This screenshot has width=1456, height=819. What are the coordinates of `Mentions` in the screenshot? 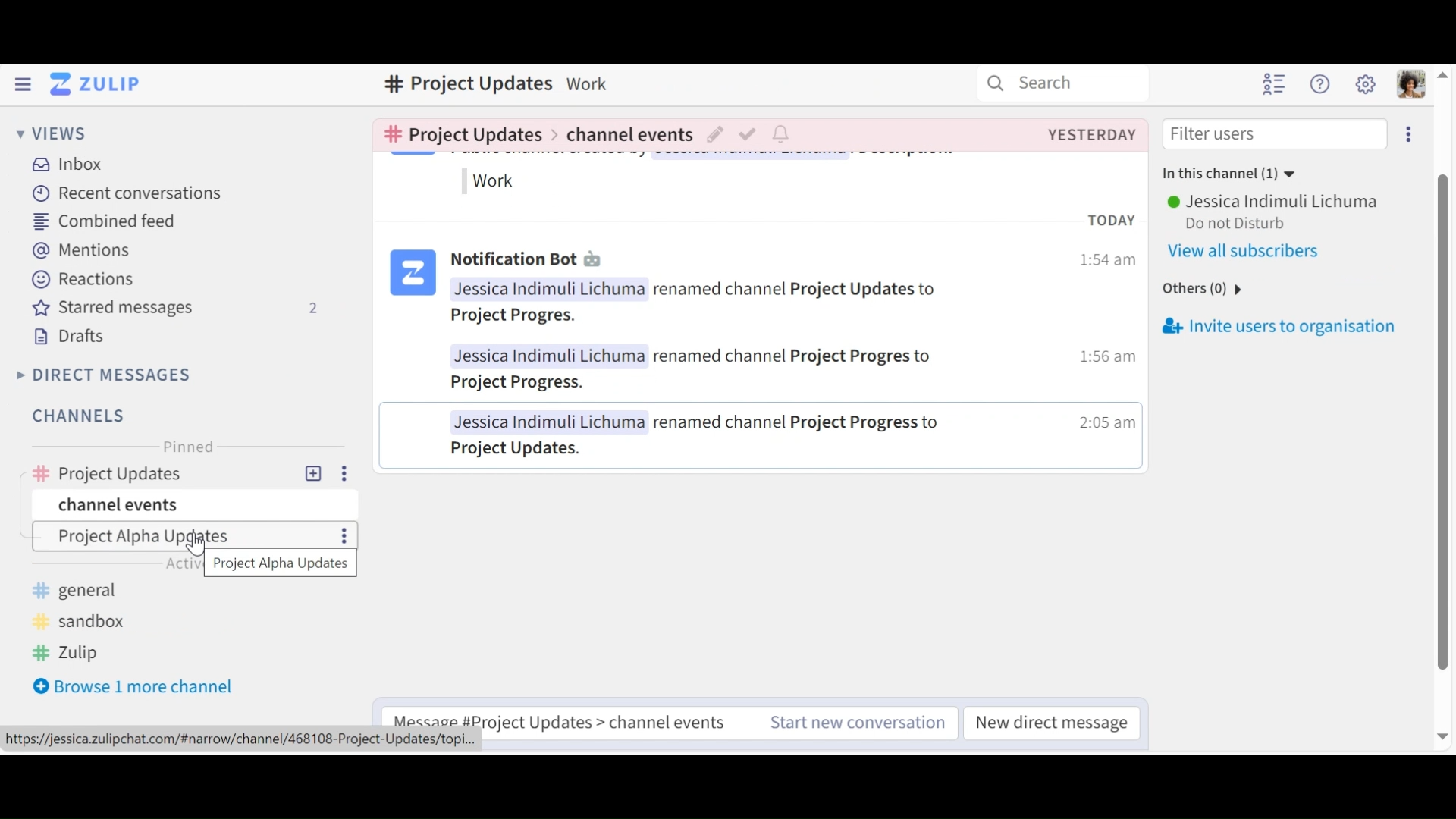 It's located at (80, 249).